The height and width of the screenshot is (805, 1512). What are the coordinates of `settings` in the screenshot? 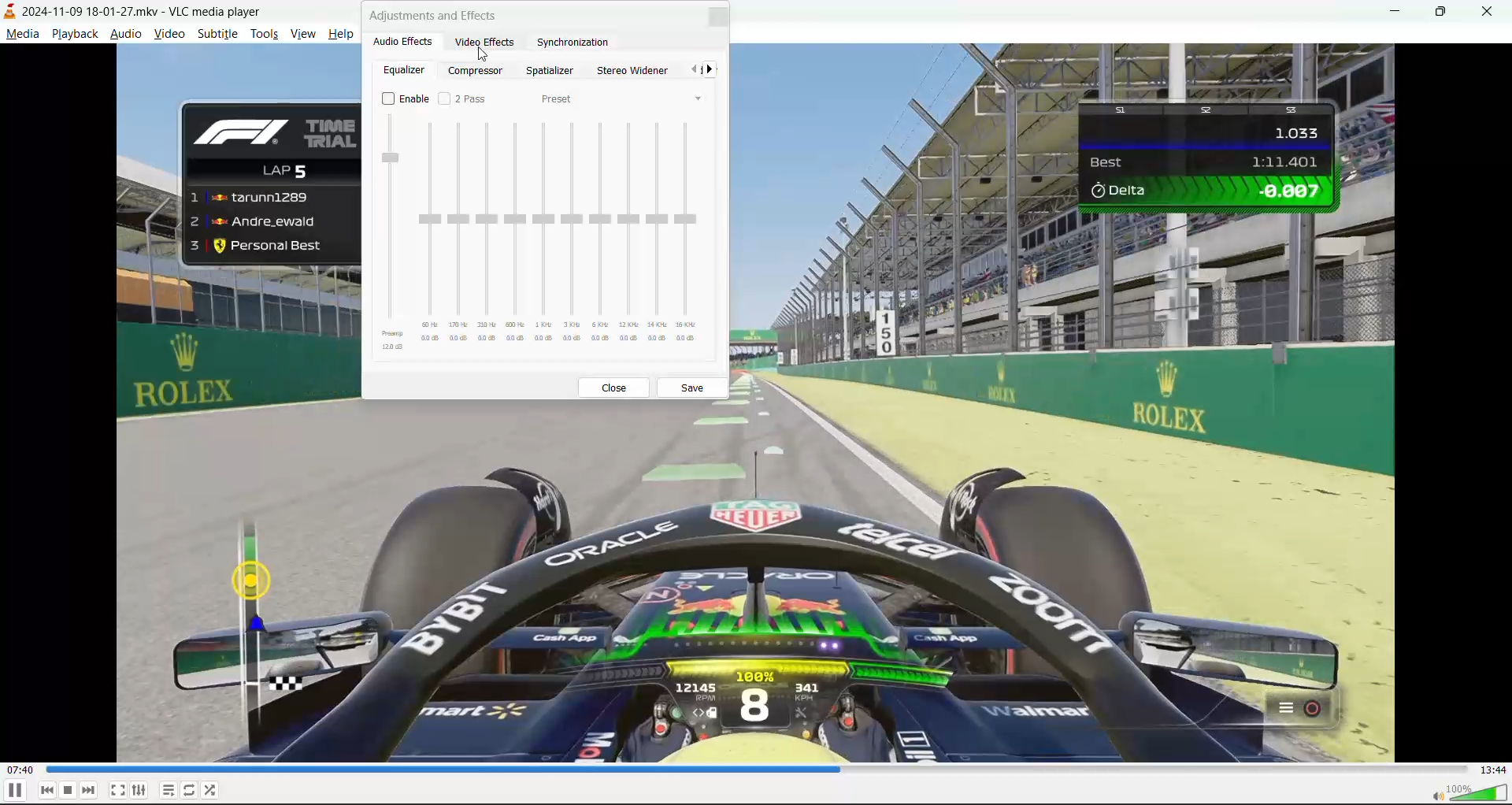 It's located at (139, 788).